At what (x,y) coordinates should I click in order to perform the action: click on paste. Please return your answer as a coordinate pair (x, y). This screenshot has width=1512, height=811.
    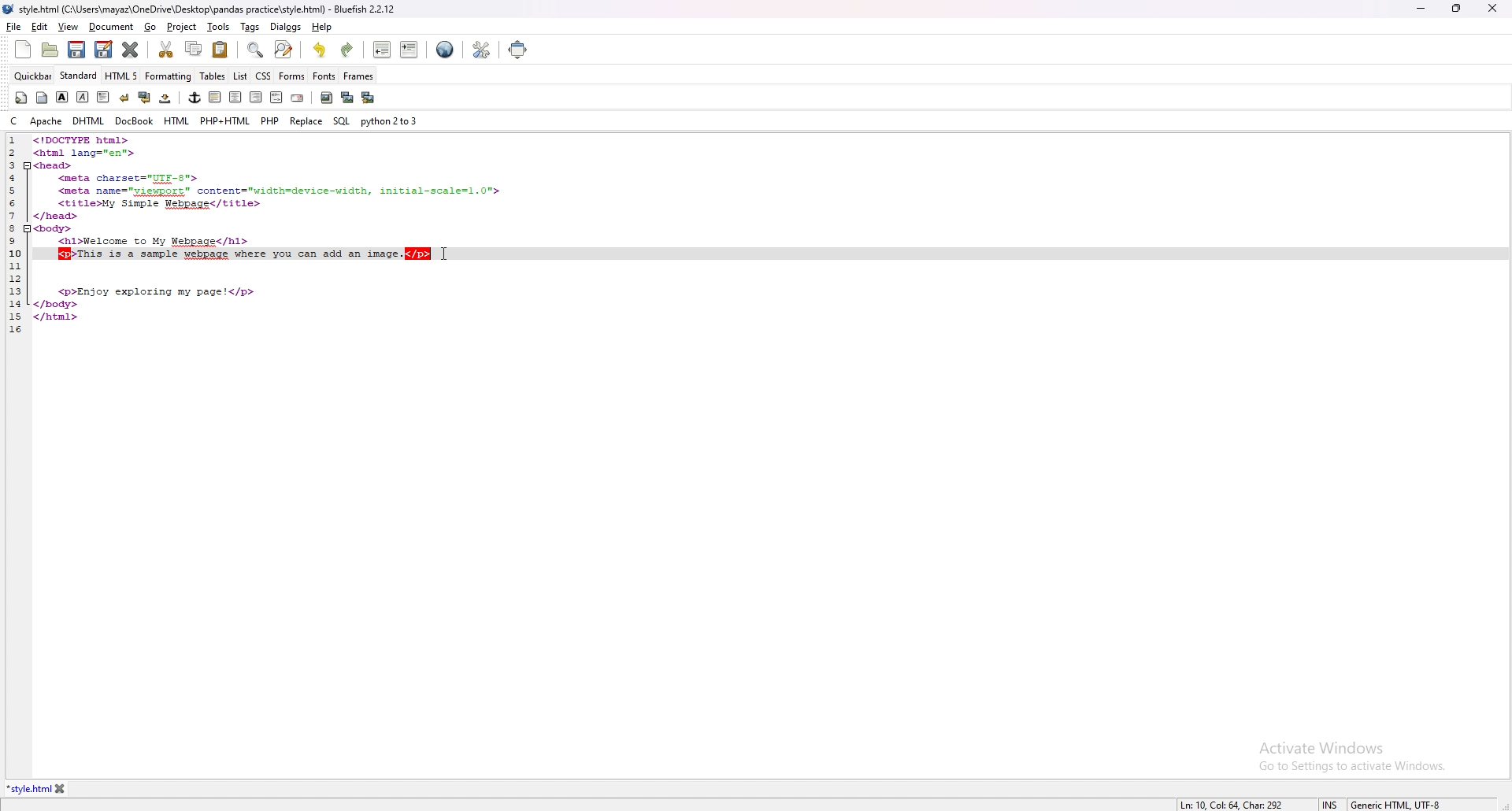
    Looking at the image, I should click on (220, 50).